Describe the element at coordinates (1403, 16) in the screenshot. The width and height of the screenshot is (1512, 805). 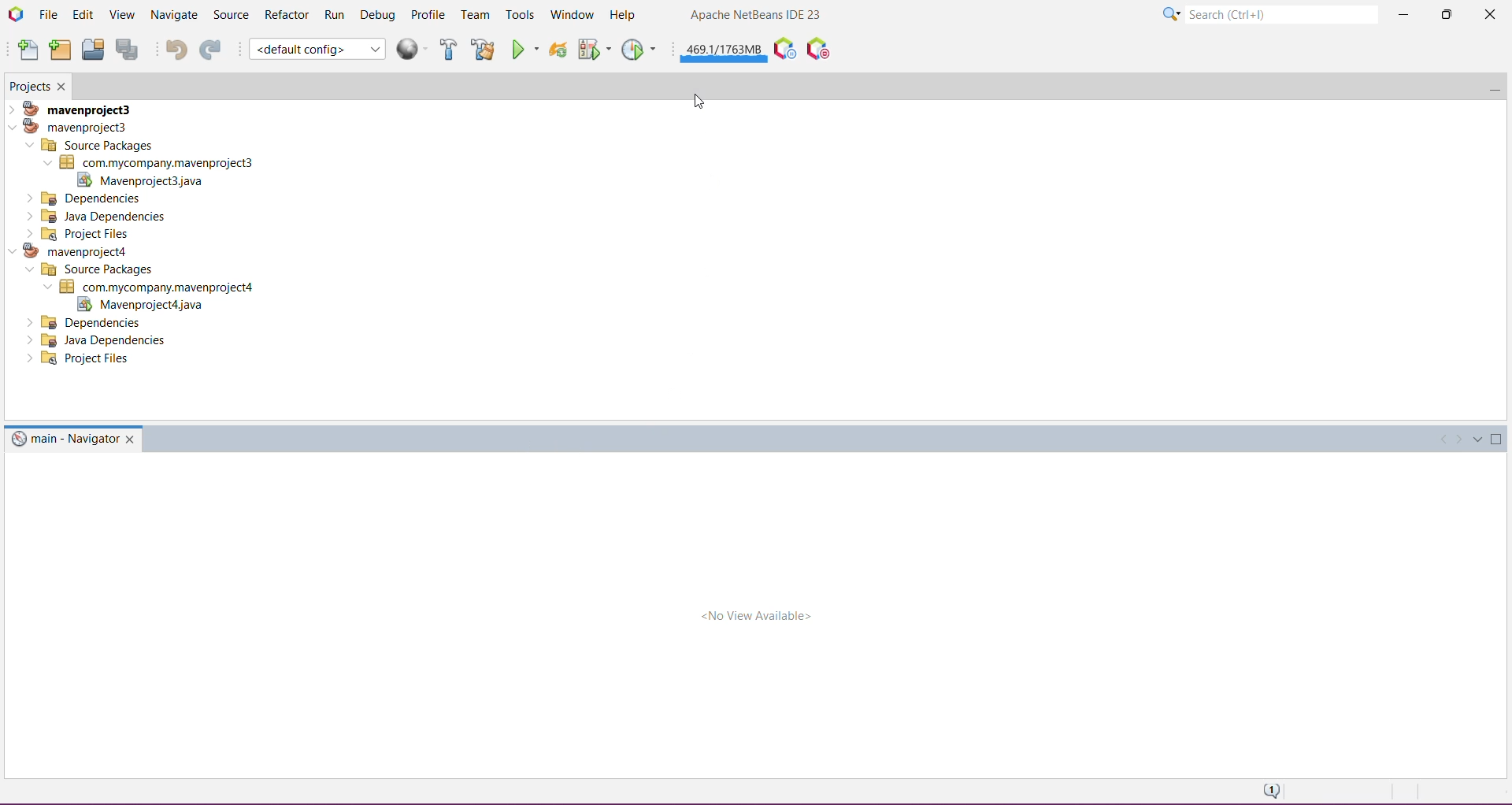
I see `Minimize` at that location.